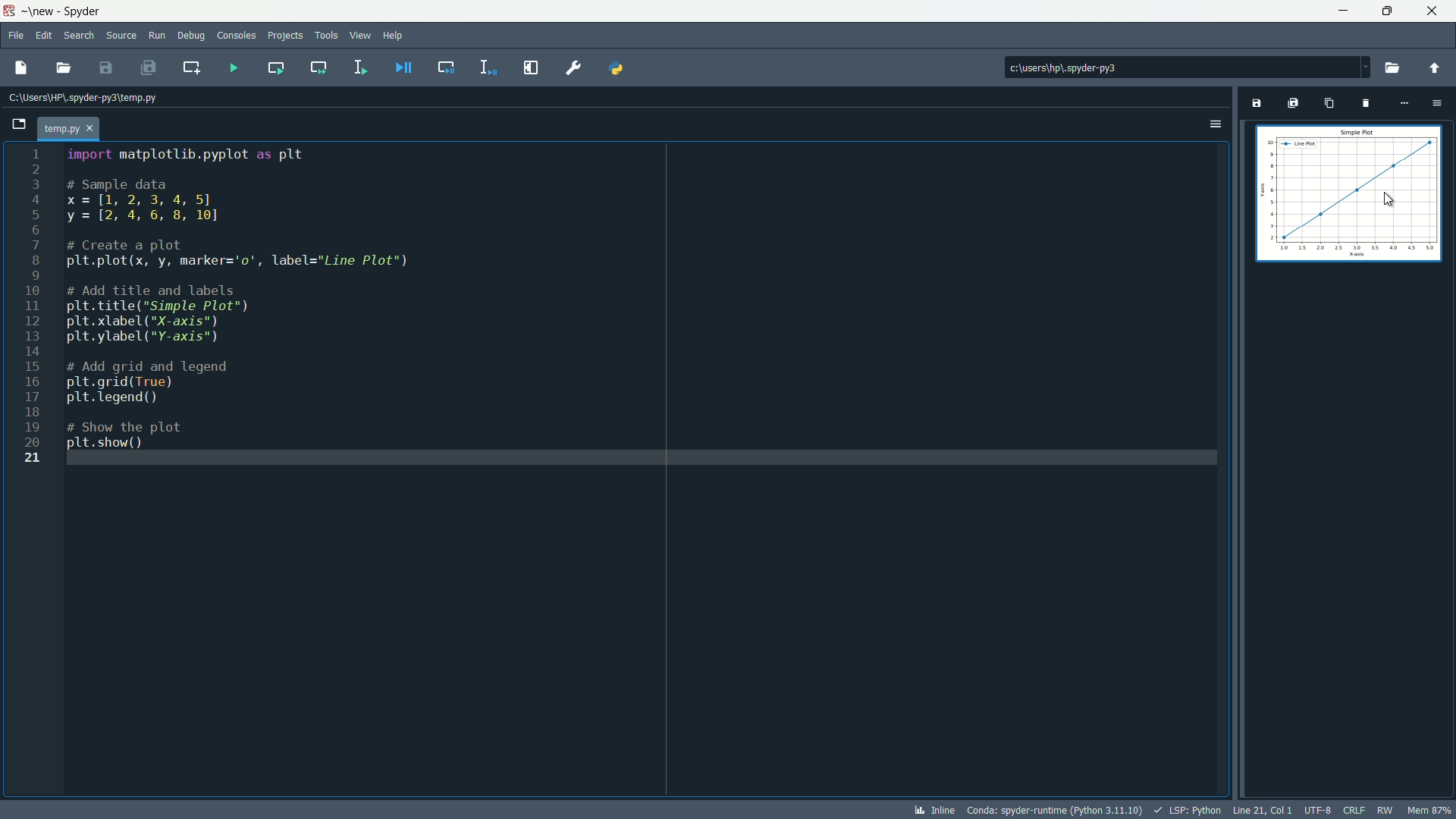 The width and height of the screenshot is (1456, 819). What do you see at coordinates (235, 35) in the screenshot?
I see `consoles menu` at bounding box center [235, 35].